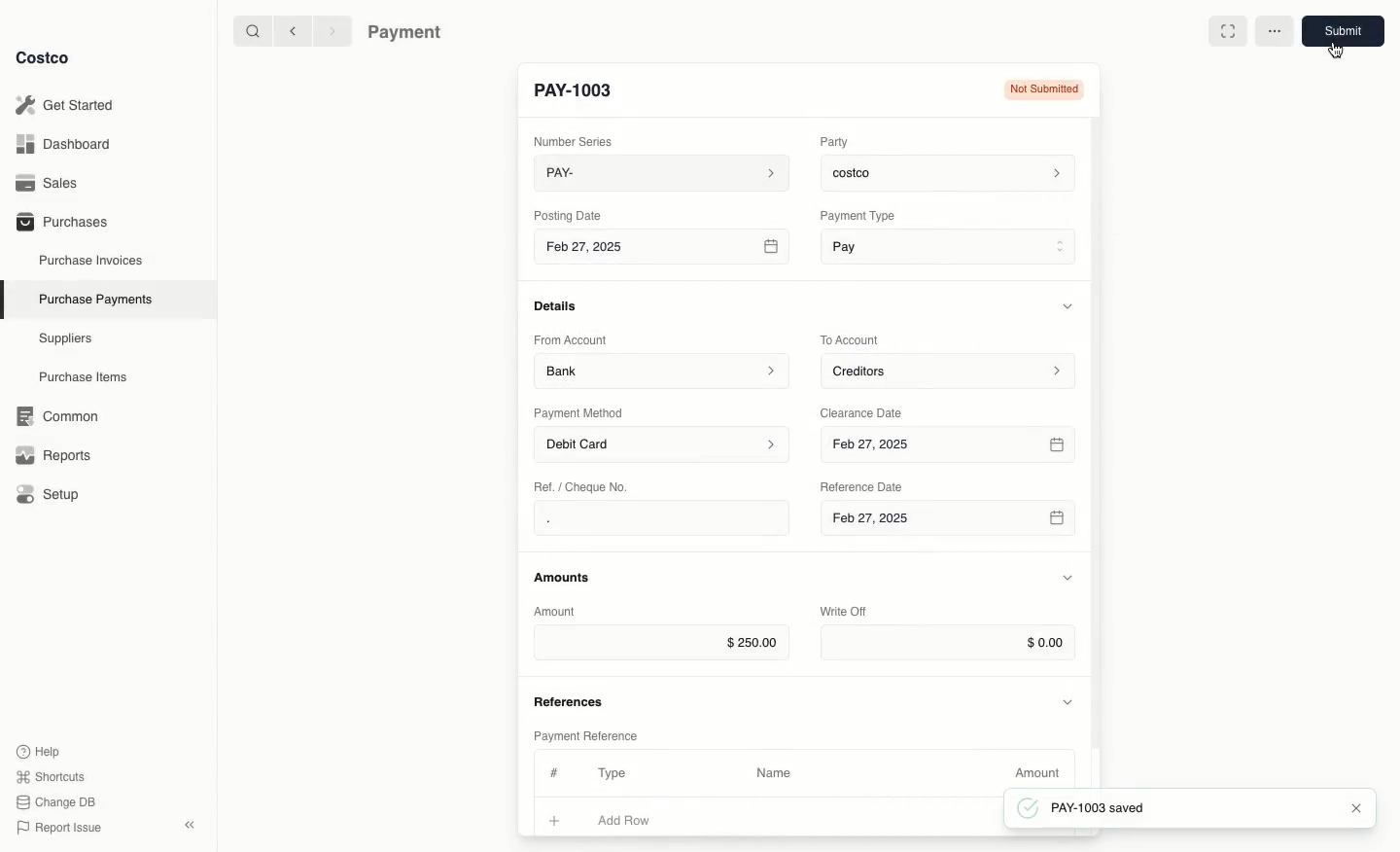 The height and width of the screenshot is (852, 1400). What do you see at coordinates (774, 773) in the screenshot?
I see `Name` at bounding box center [774, 773].